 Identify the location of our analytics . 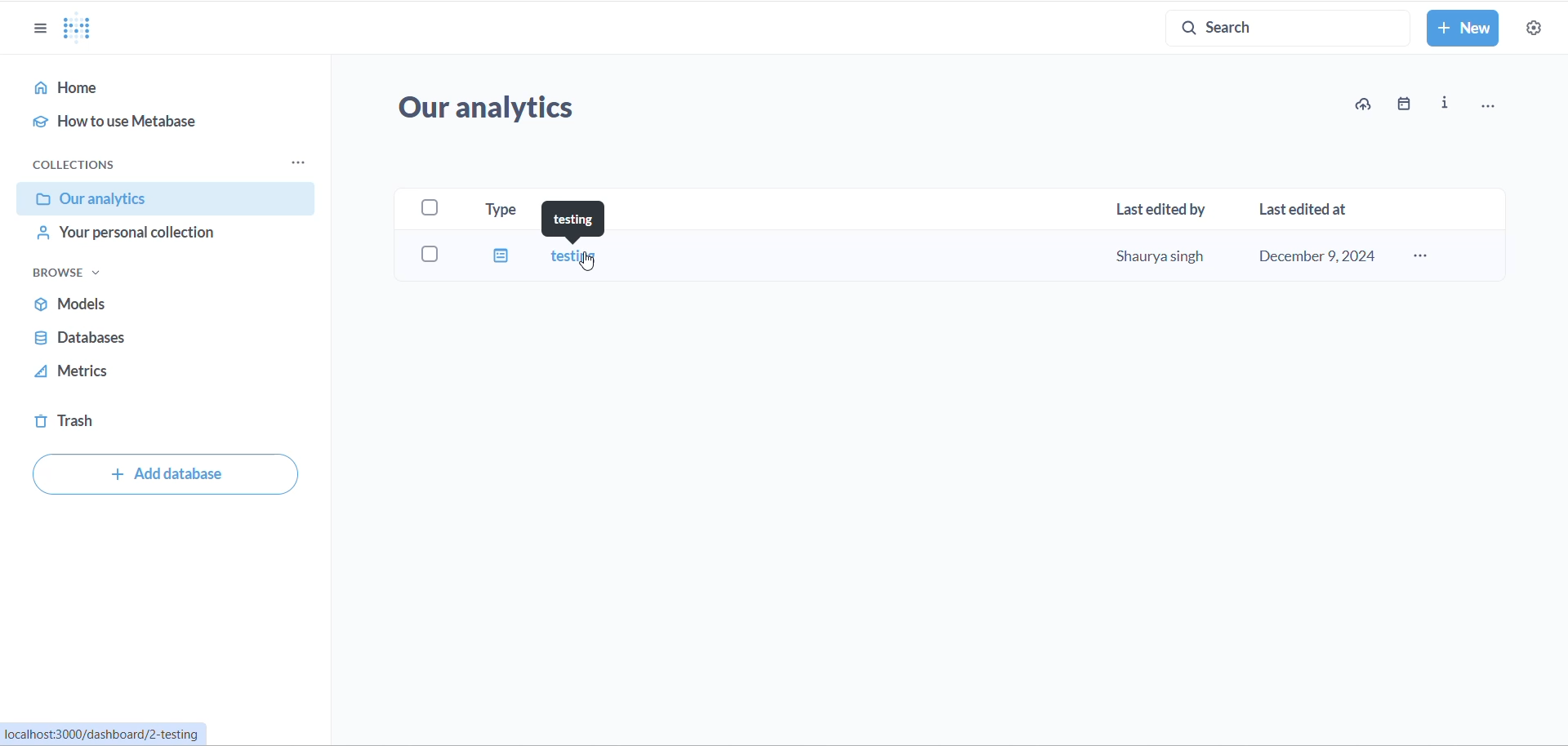
(517, 106).